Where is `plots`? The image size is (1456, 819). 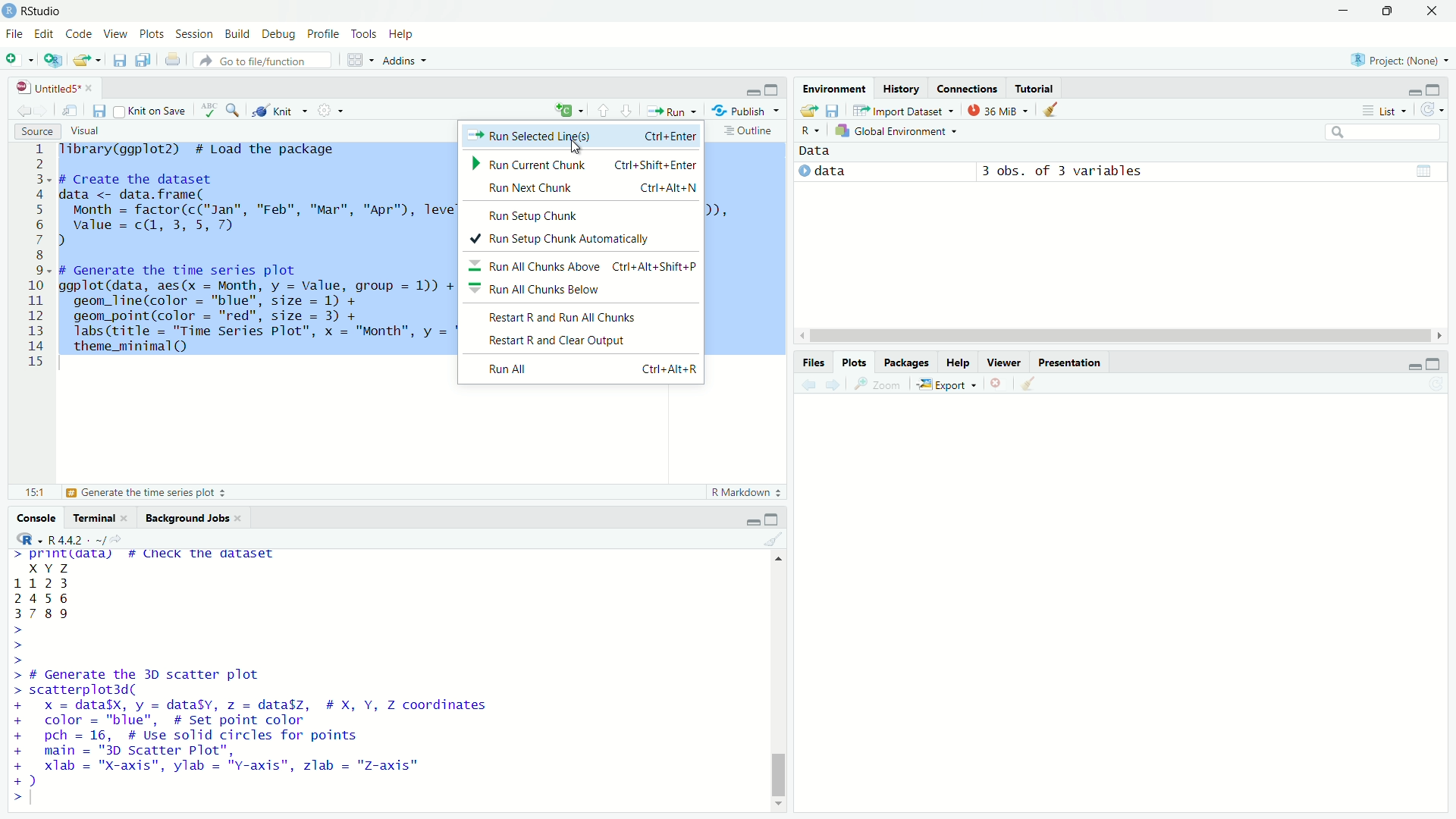 plots is located at coordinates (152, 34).